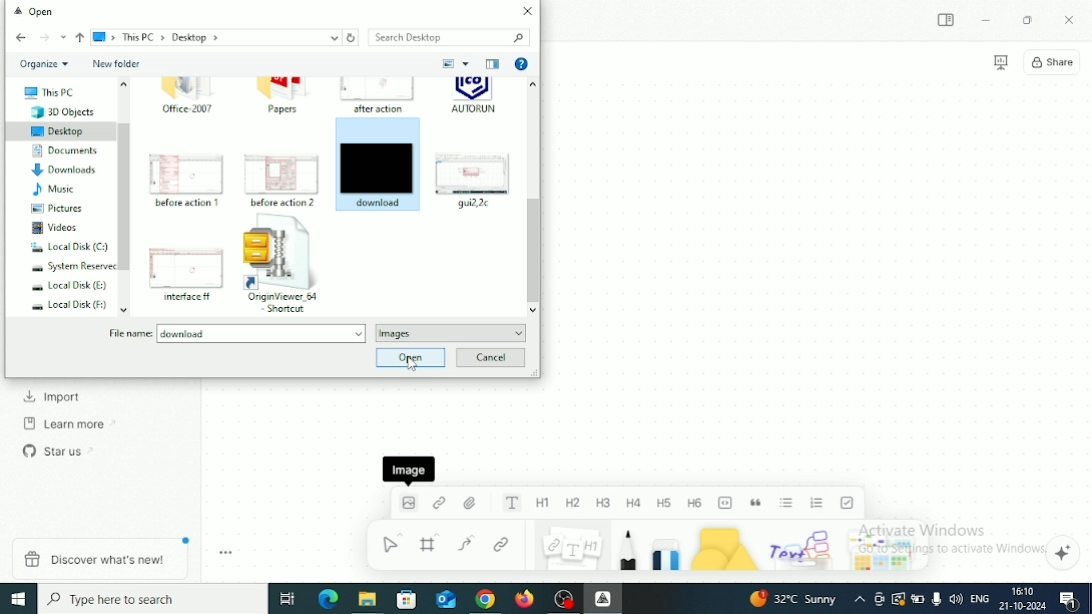 This screenshot has height=614, width=1092. I want to click on Learn more, so click(71, 423).